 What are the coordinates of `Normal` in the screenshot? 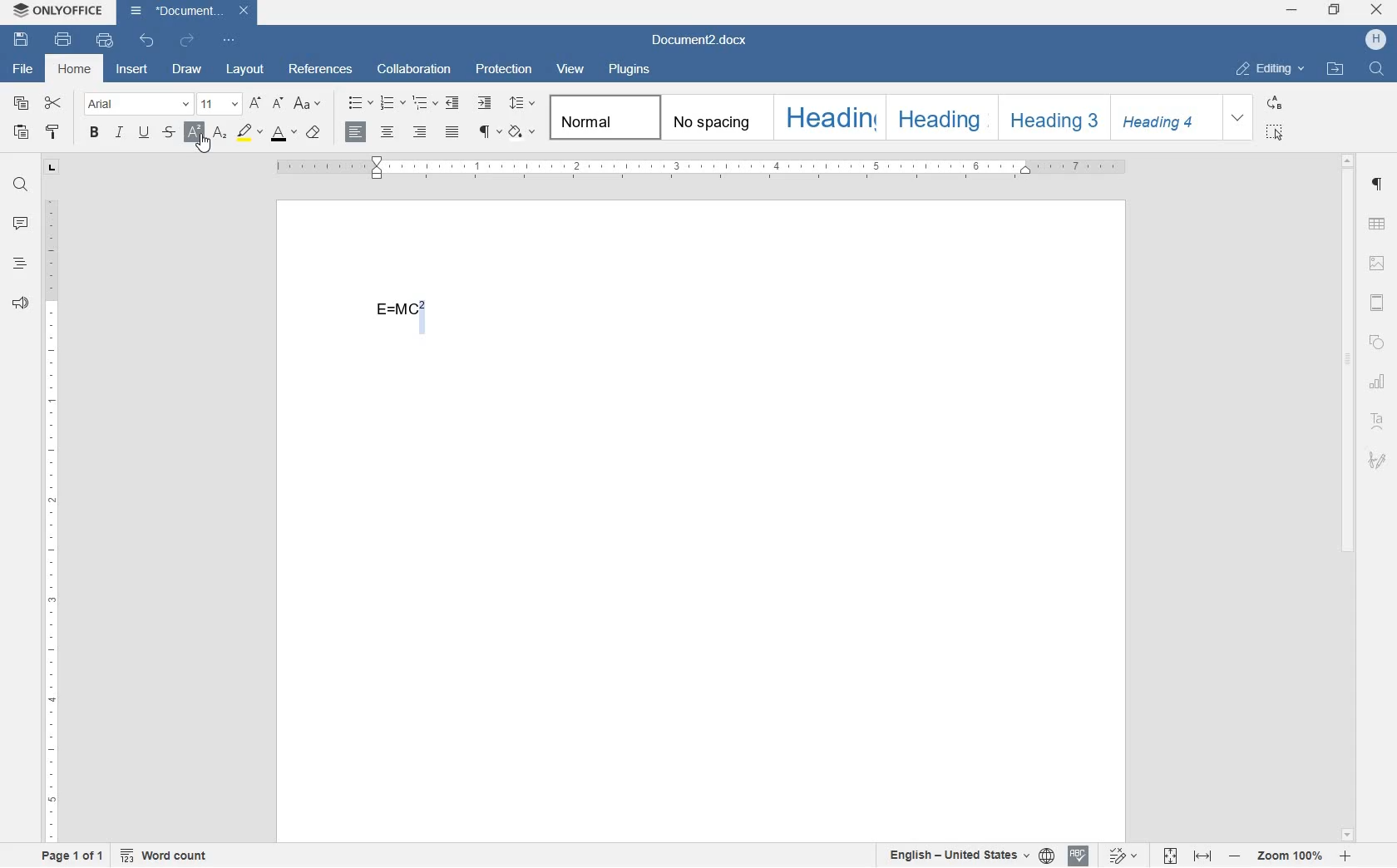 It's located at (602, 116).